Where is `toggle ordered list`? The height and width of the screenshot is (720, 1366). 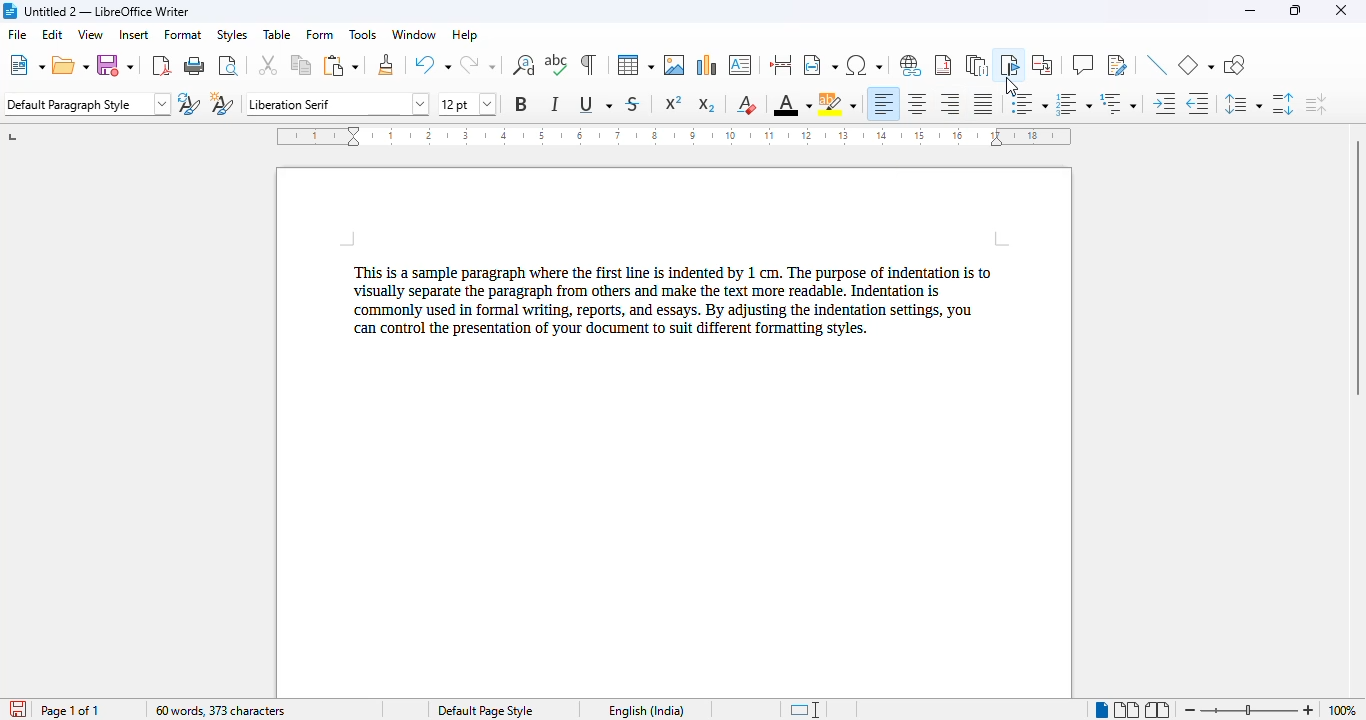
toggle ordered list is located at coordinates (1073, 104).